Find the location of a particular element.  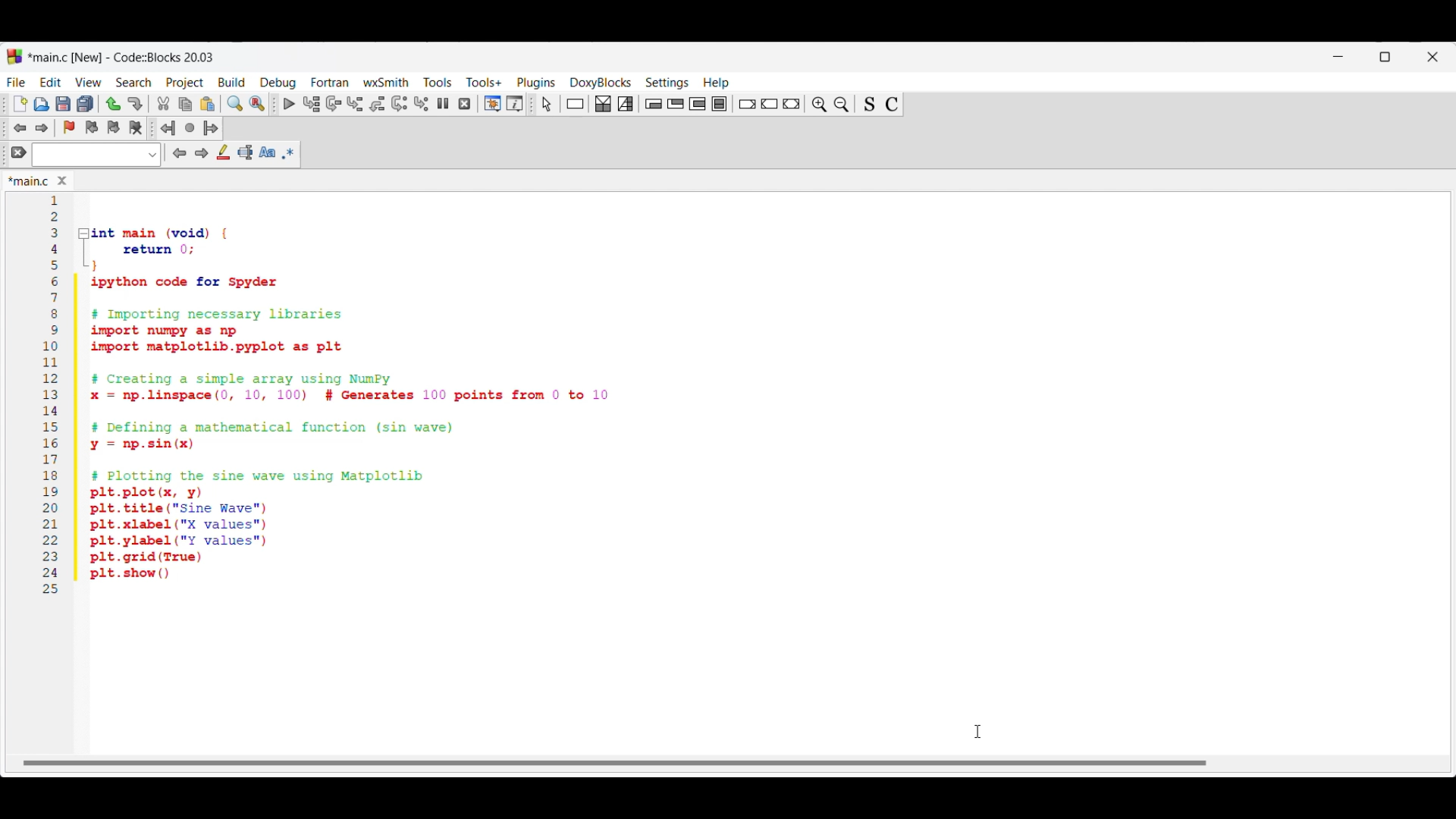

Find is located at coordinates (235, 103).